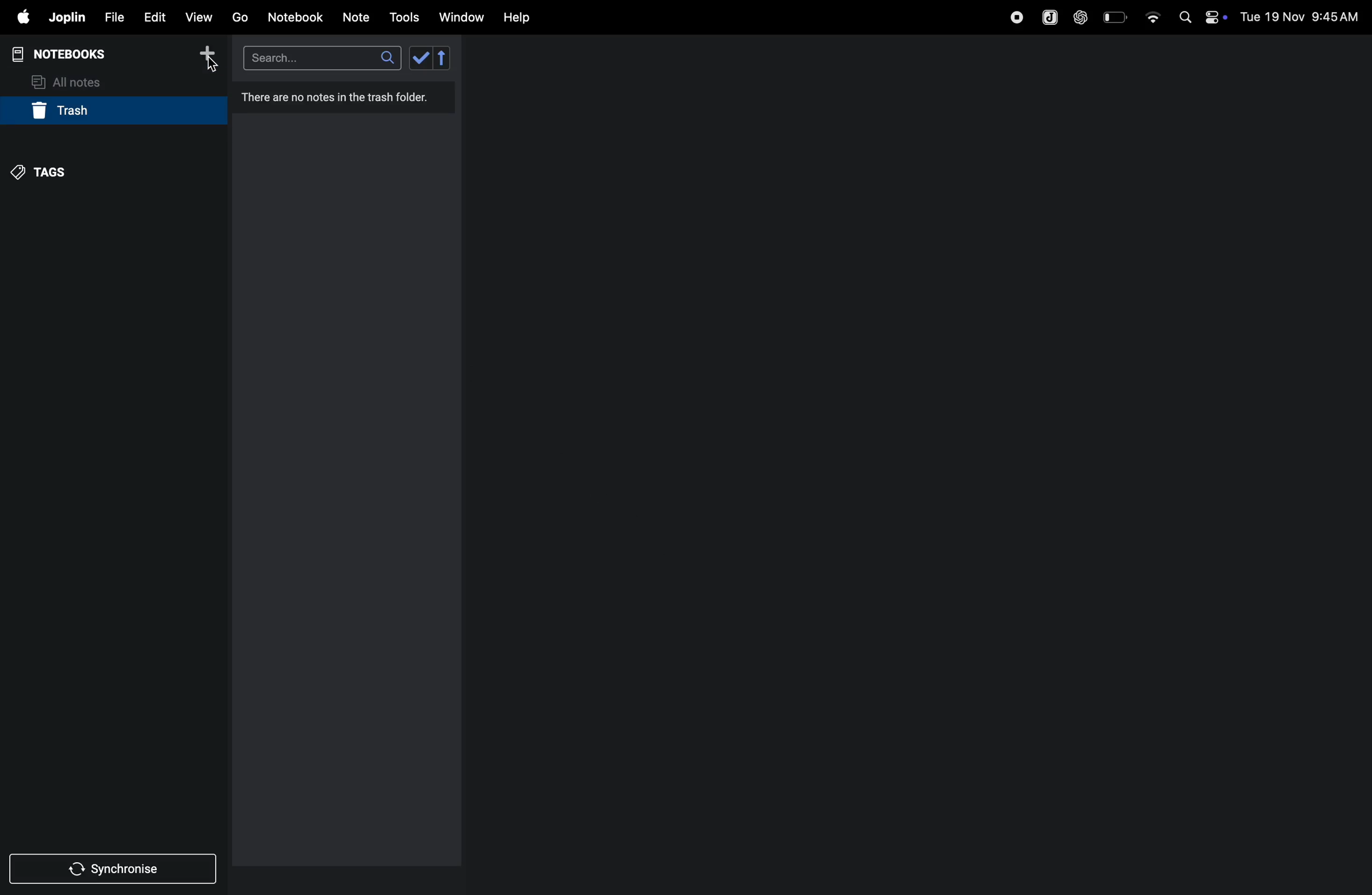 This screenshot has width=1372, height=895. I want to click on cursor, so click(209, 72).